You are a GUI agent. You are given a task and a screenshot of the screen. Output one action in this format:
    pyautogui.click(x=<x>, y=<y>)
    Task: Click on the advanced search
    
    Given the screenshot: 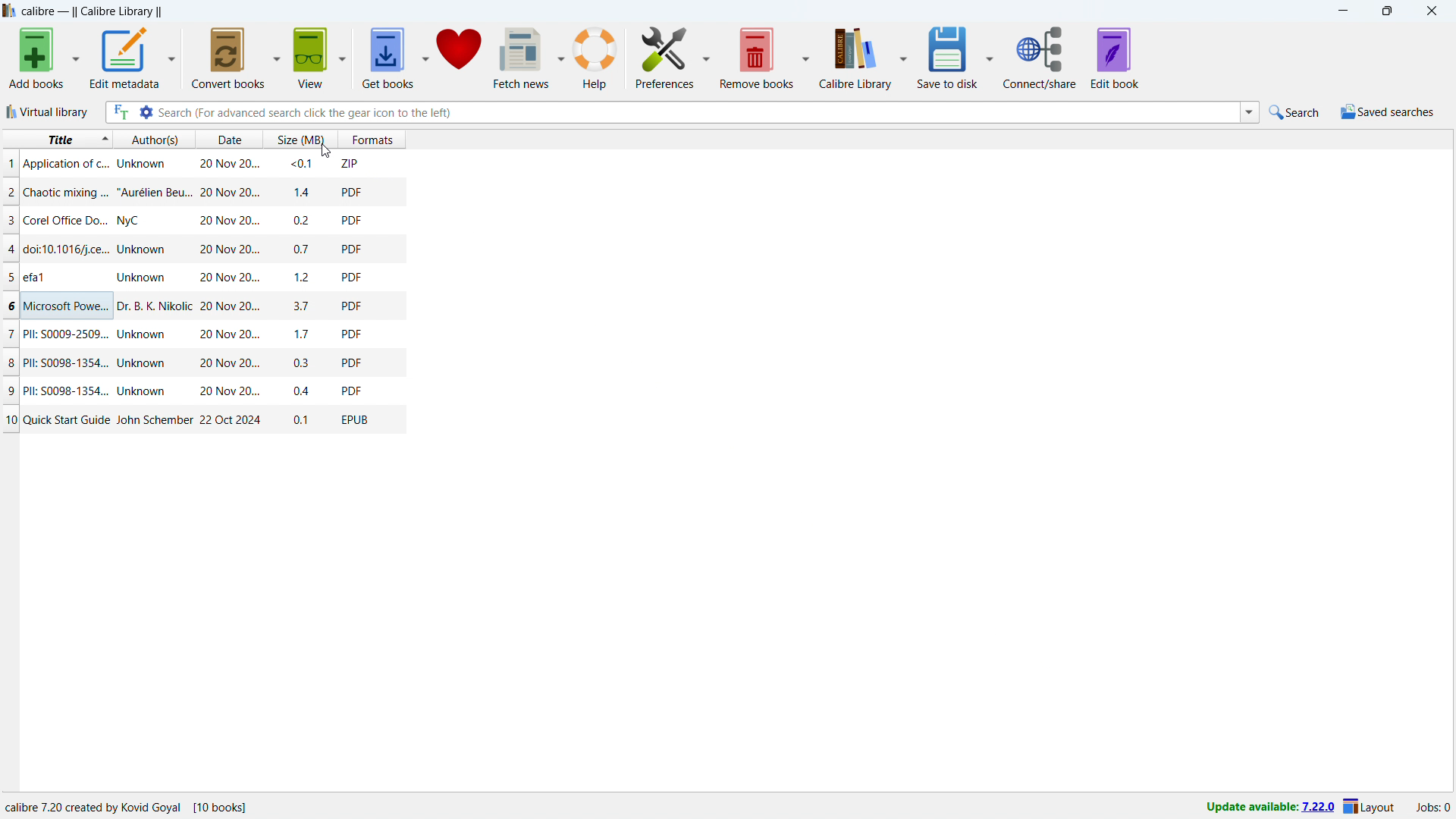 What is the action you would take?
    pyautogui.click(x=146, y=112)
    